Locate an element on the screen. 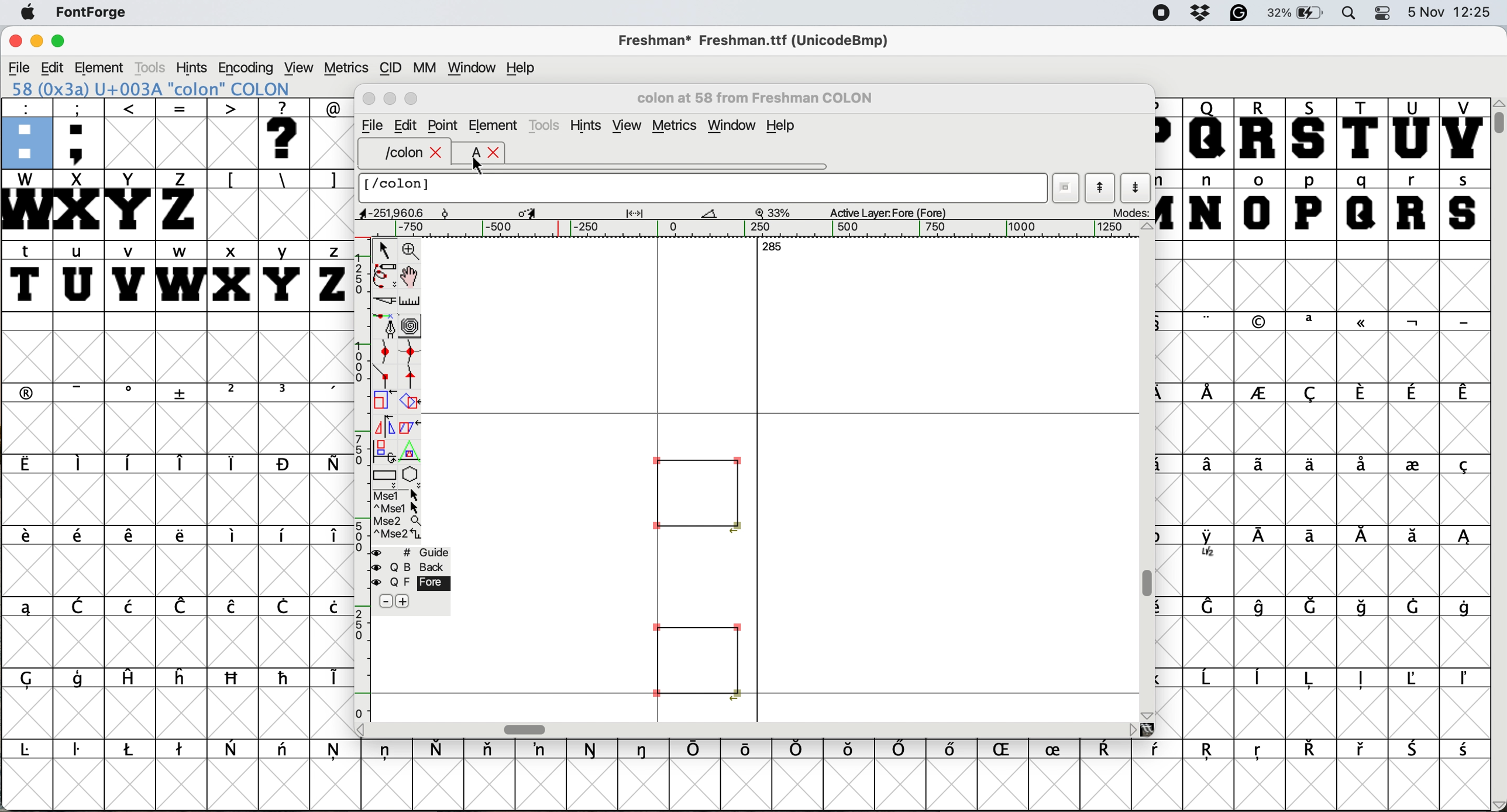 The height and width of the screenshot is (812, 1507). metrics is located at coordinates (674, 125).